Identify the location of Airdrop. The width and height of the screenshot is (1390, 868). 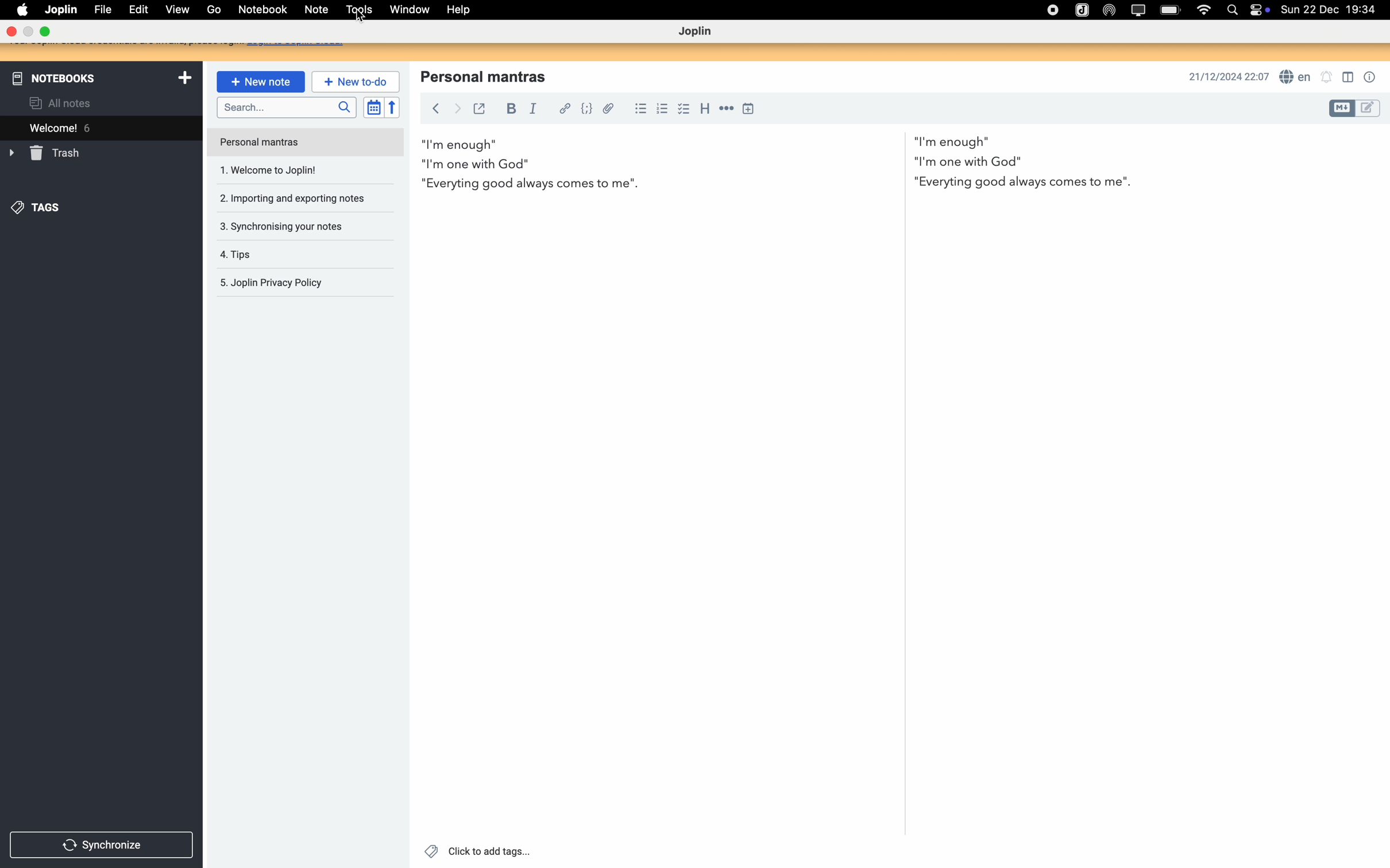
(1109, 9).